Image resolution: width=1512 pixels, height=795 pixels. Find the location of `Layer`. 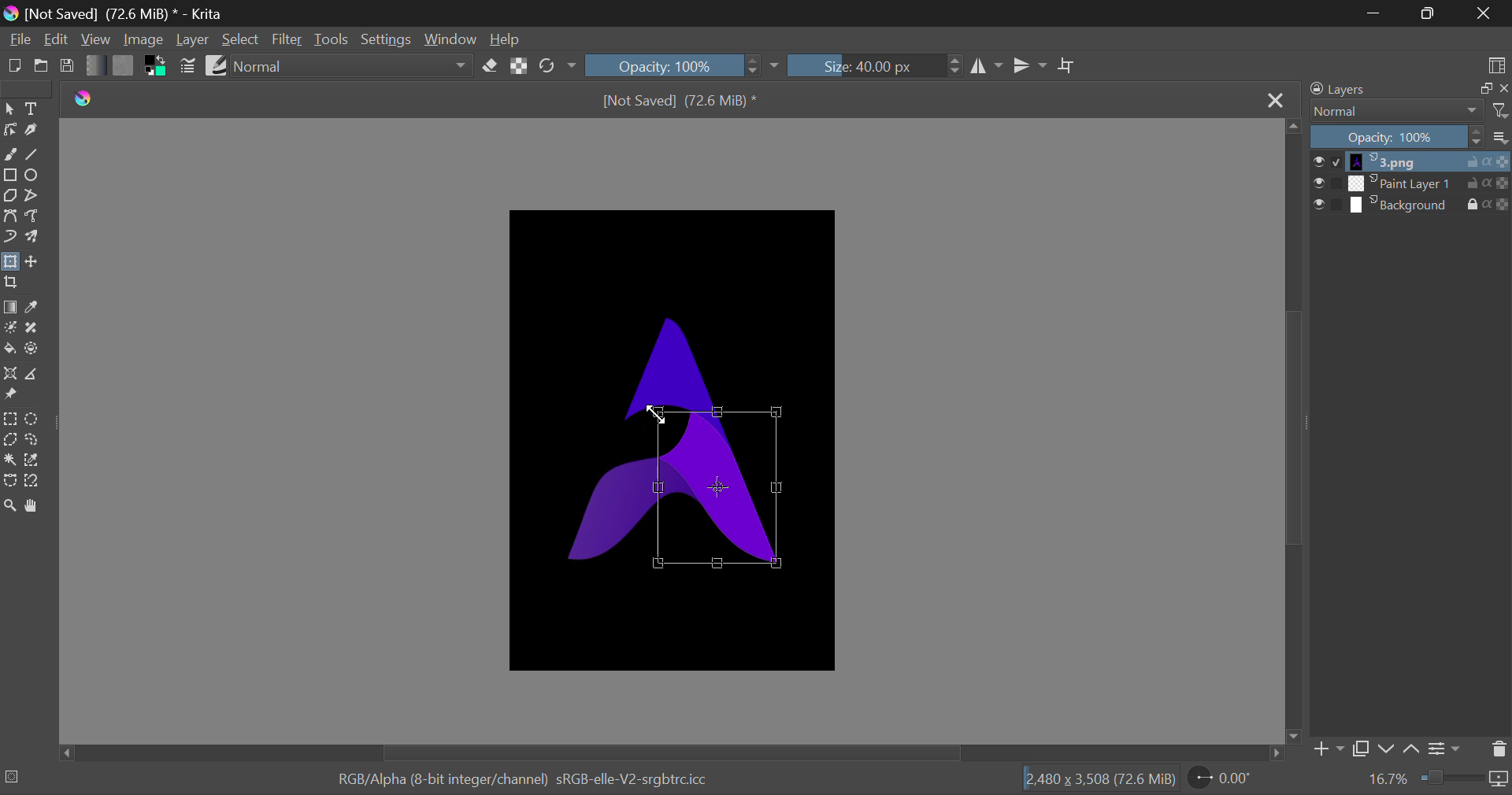

Layer is located at coordinates (193, 39).